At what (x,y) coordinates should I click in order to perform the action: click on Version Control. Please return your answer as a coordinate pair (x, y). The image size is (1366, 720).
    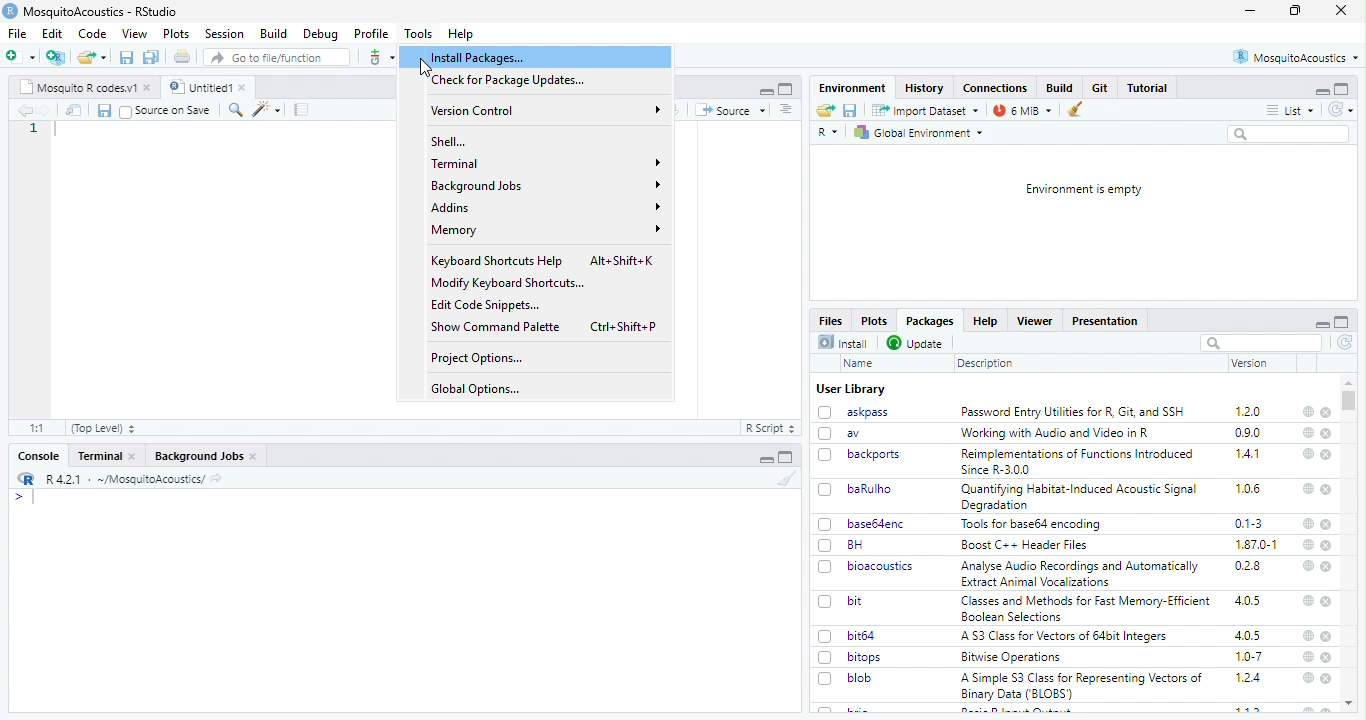
    Looking at the image, I should click on (548, 110).